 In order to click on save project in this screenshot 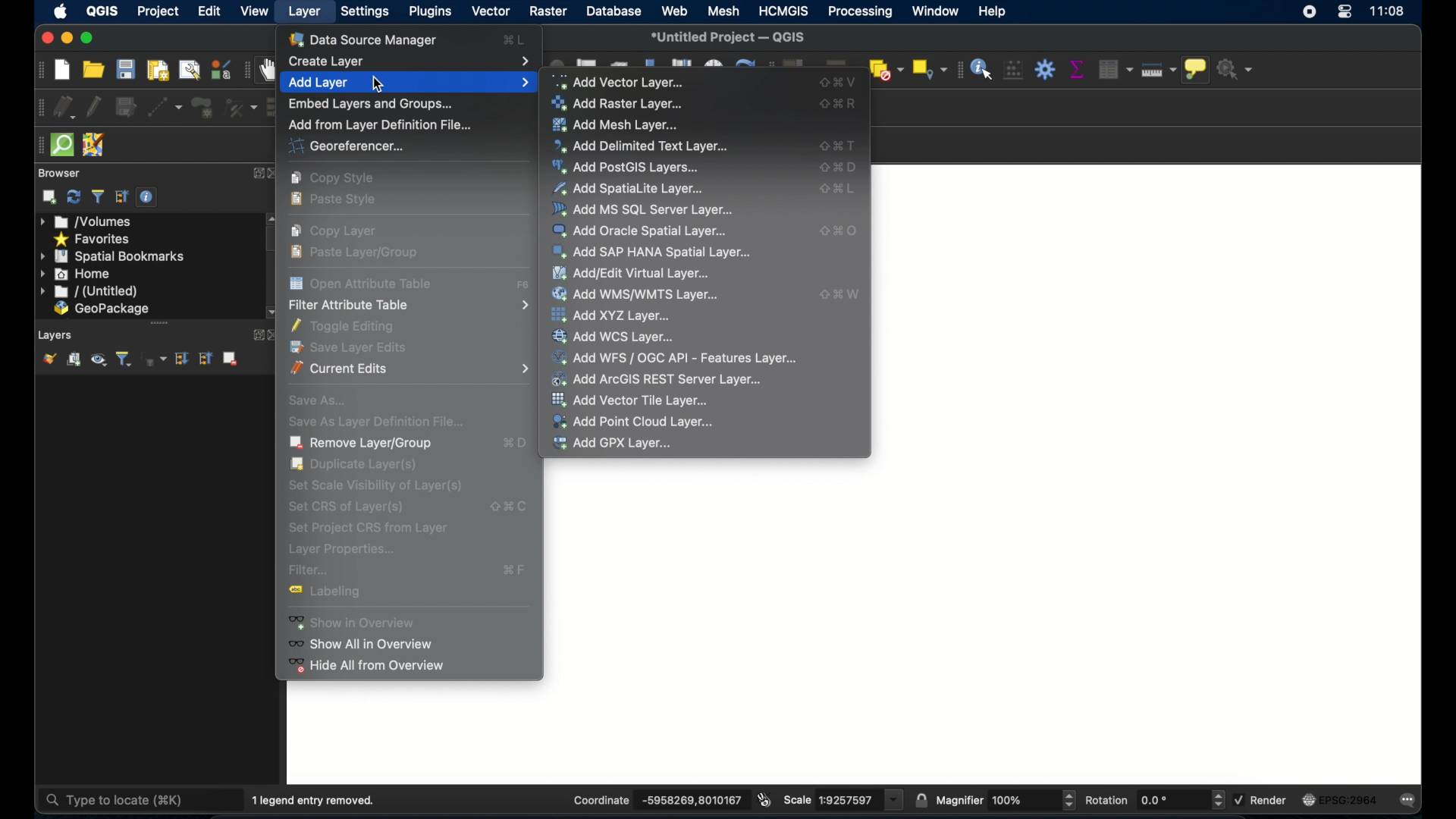, I will do `click(126, 70)`.